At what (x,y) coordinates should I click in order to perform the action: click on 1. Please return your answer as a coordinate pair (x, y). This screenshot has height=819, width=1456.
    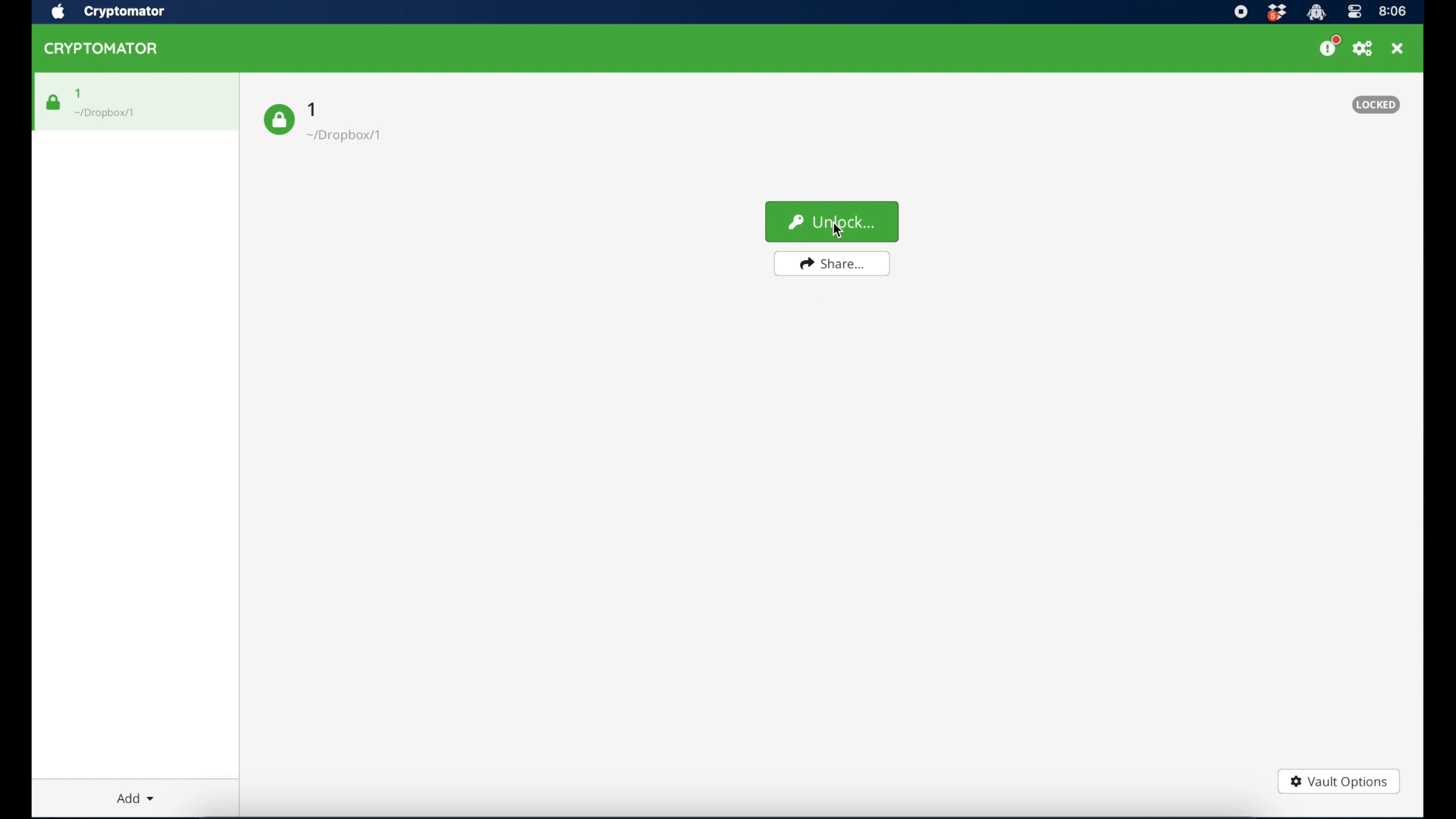
    Looking at the image, I should click on (78, 93).